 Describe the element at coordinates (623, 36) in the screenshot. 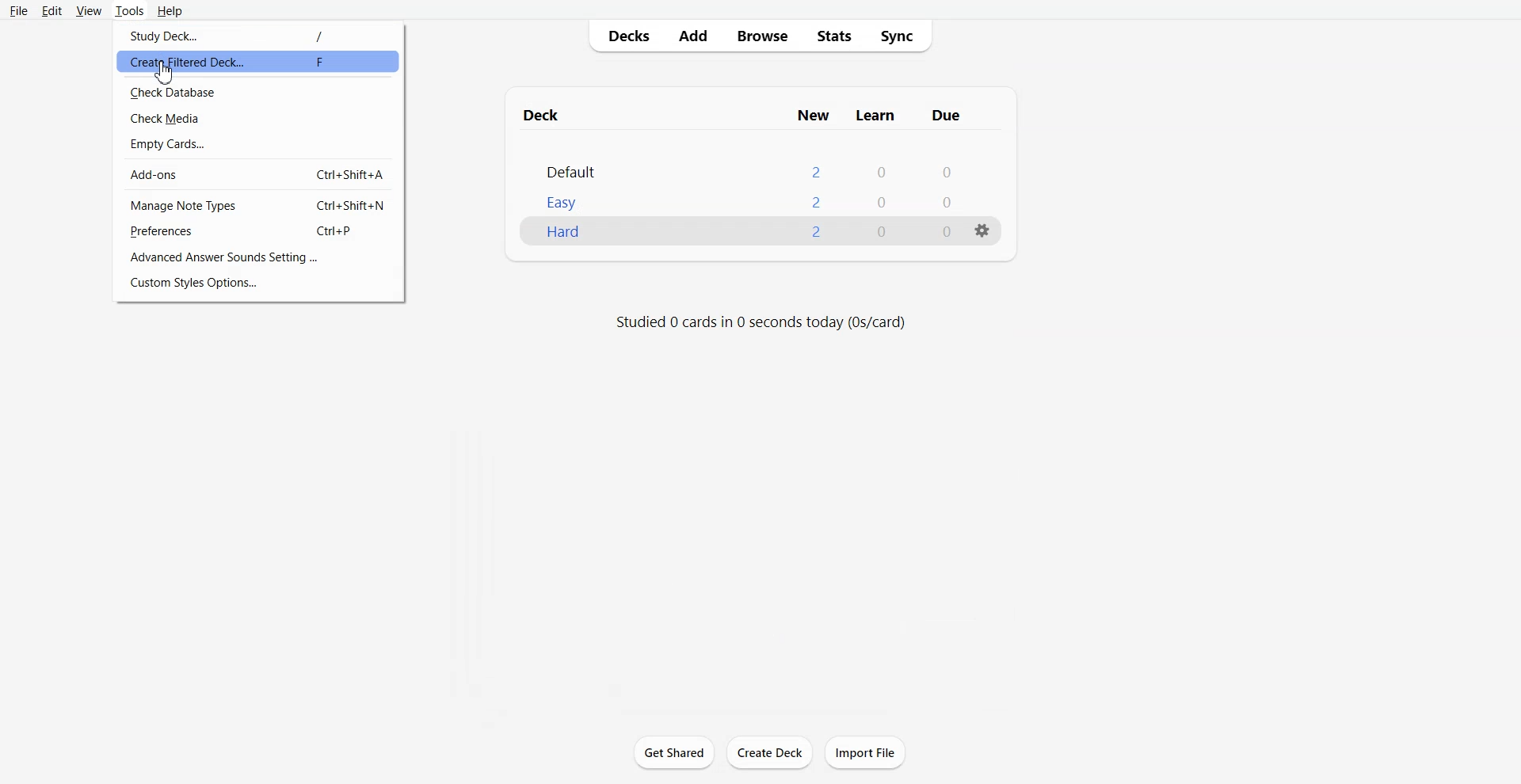

I see `Decks` at that location.